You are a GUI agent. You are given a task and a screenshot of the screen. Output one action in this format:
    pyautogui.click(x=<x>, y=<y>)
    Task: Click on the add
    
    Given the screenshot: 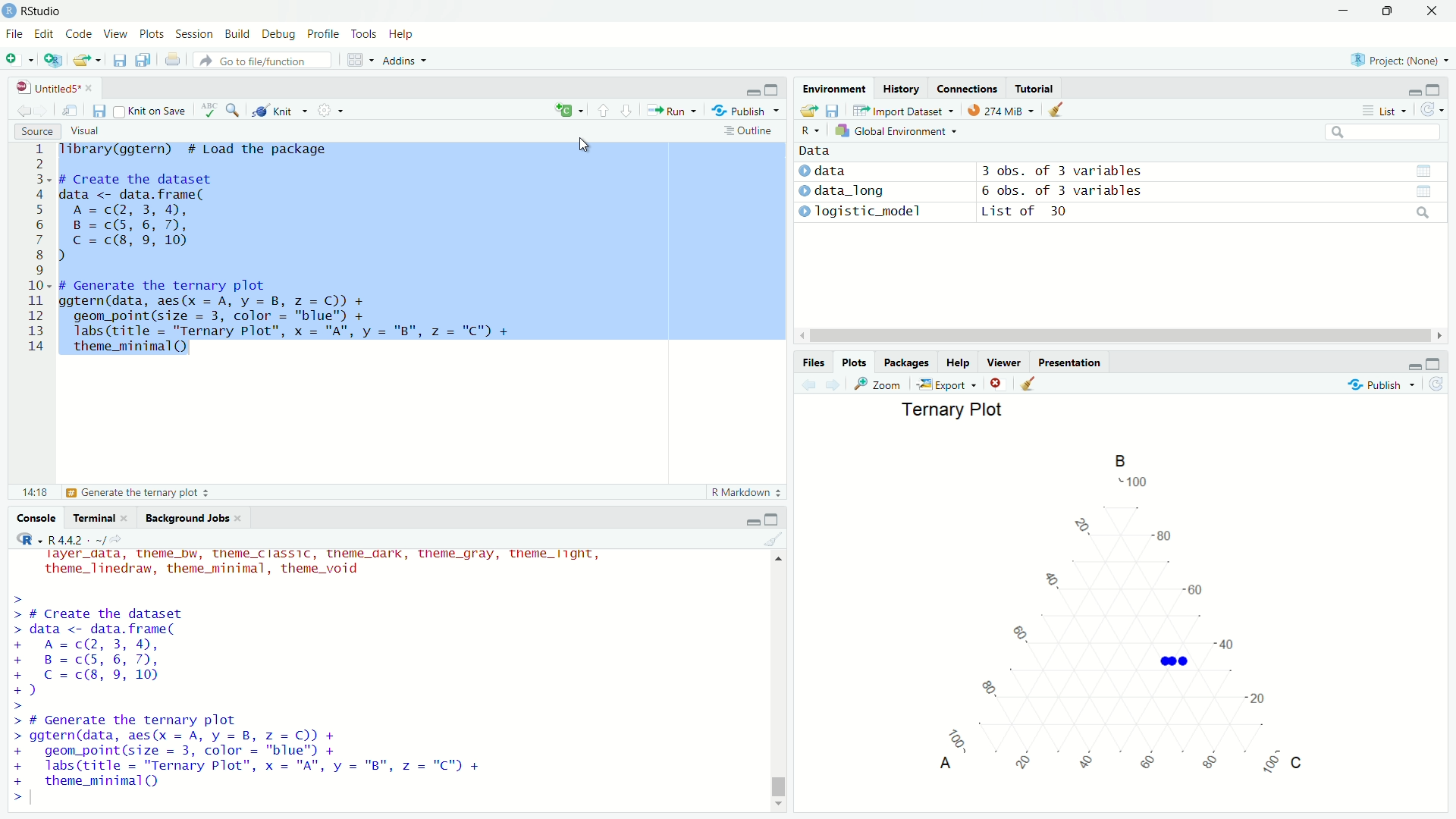 What is the action you would take?
    pyautogui.click(x=561, y=111)
    